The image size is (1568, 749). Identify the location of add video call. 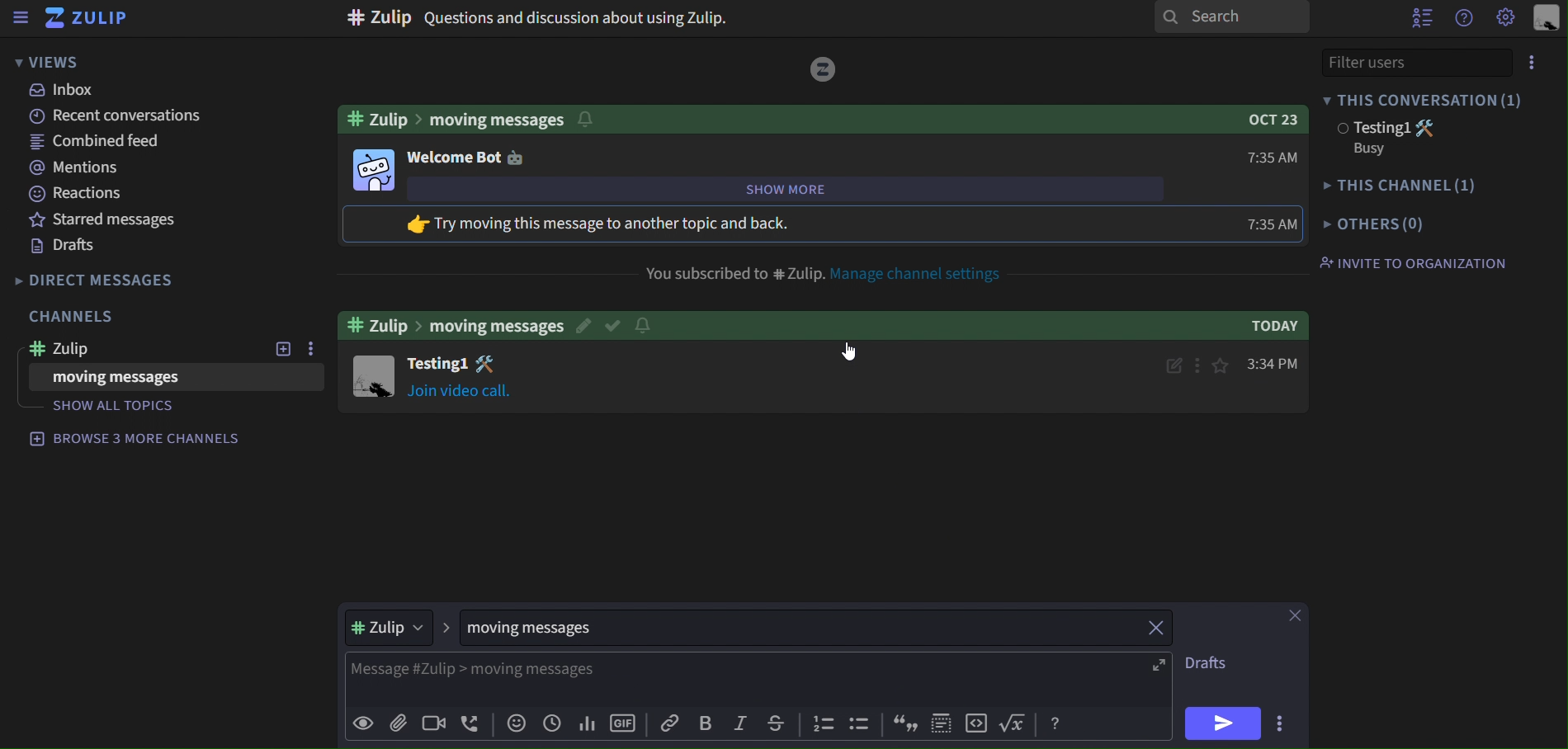
(432, 723).